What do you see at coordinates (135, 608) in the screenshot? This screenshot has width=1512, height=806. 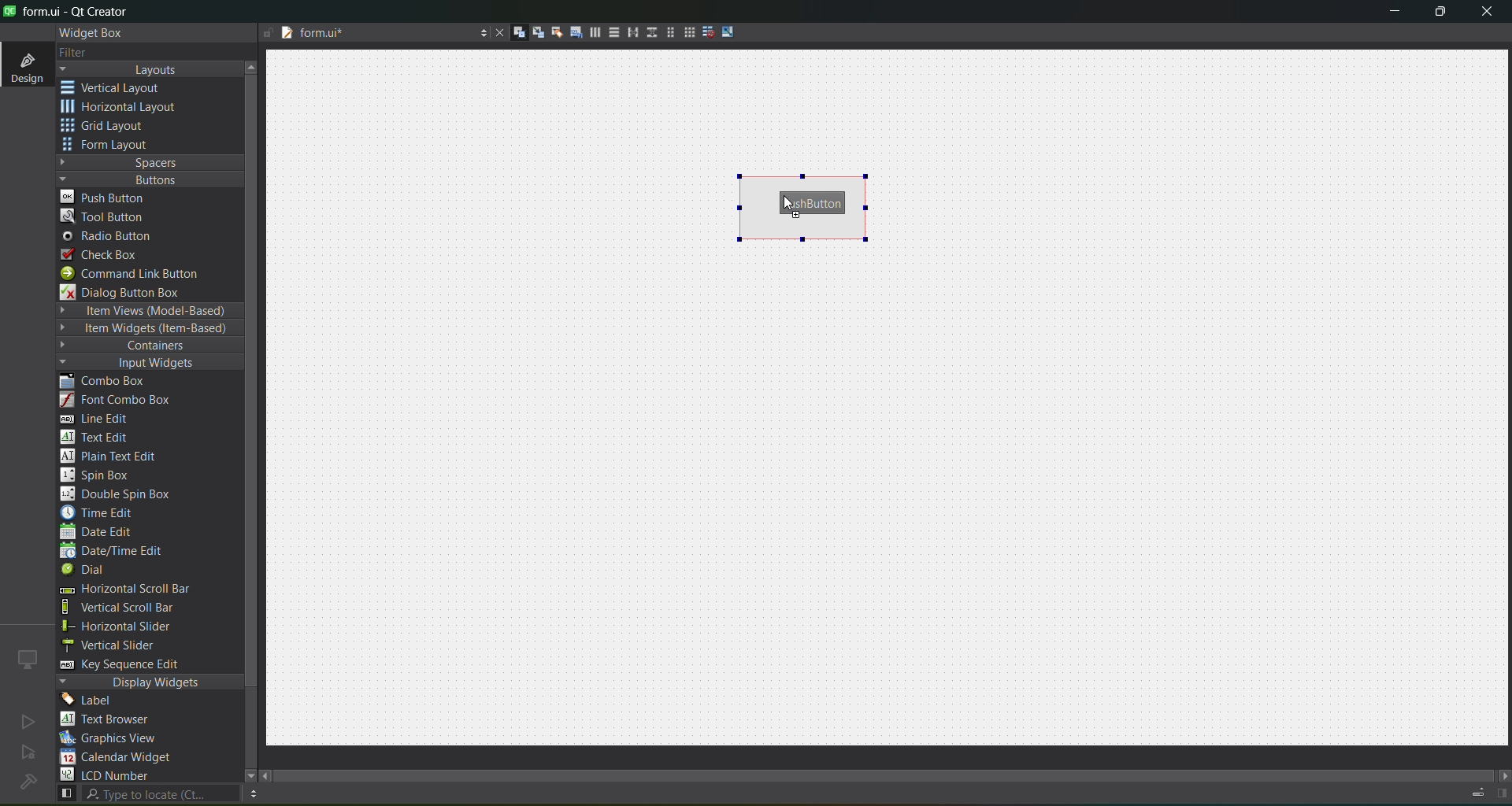 I see `vertical scroll bar` at bounding box center [135, 608].